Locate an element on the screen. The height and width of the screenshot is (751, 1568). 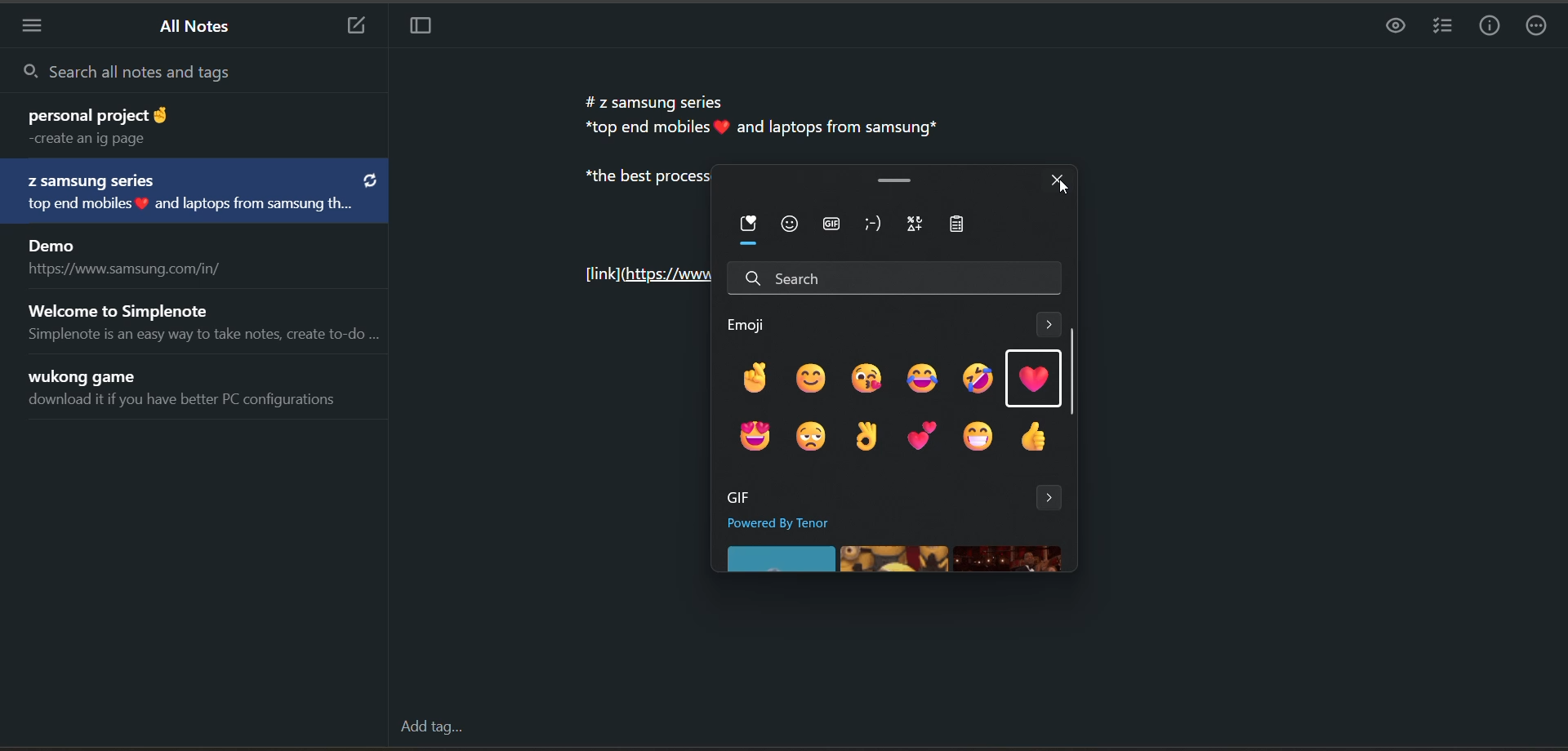
info is located at coordinates (1492, 28).